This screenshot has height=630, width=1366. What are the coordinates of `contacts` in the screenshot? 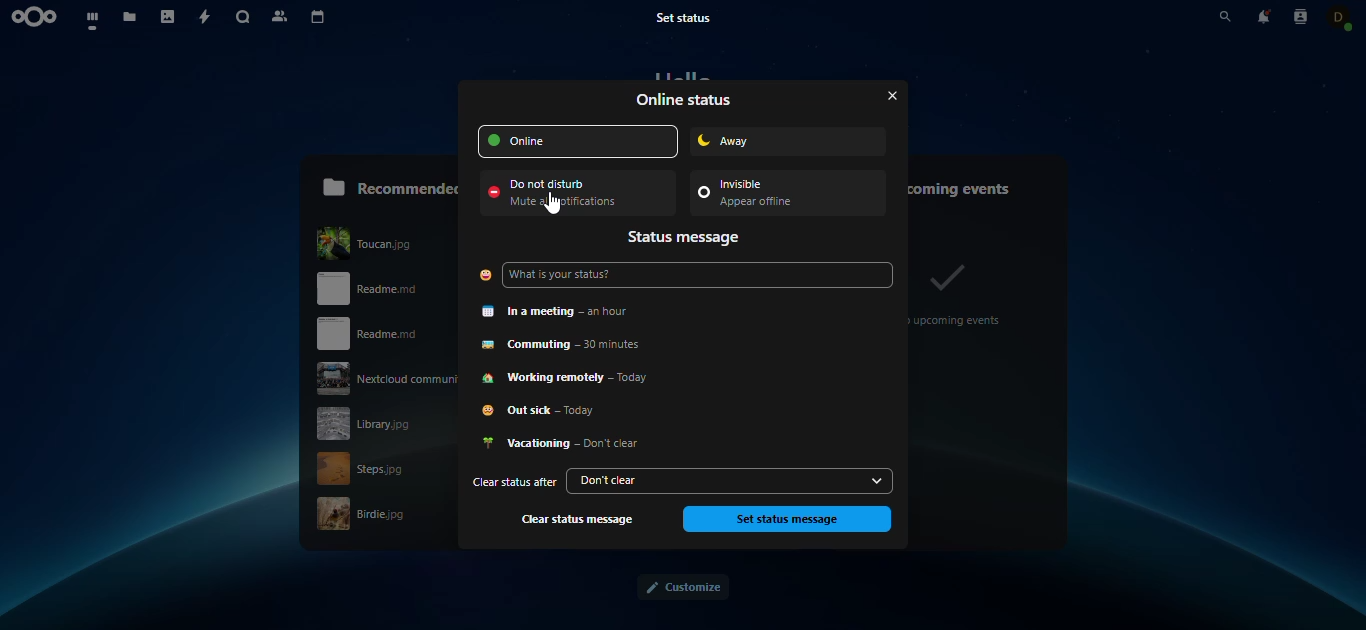 It's located at (1300, 16).